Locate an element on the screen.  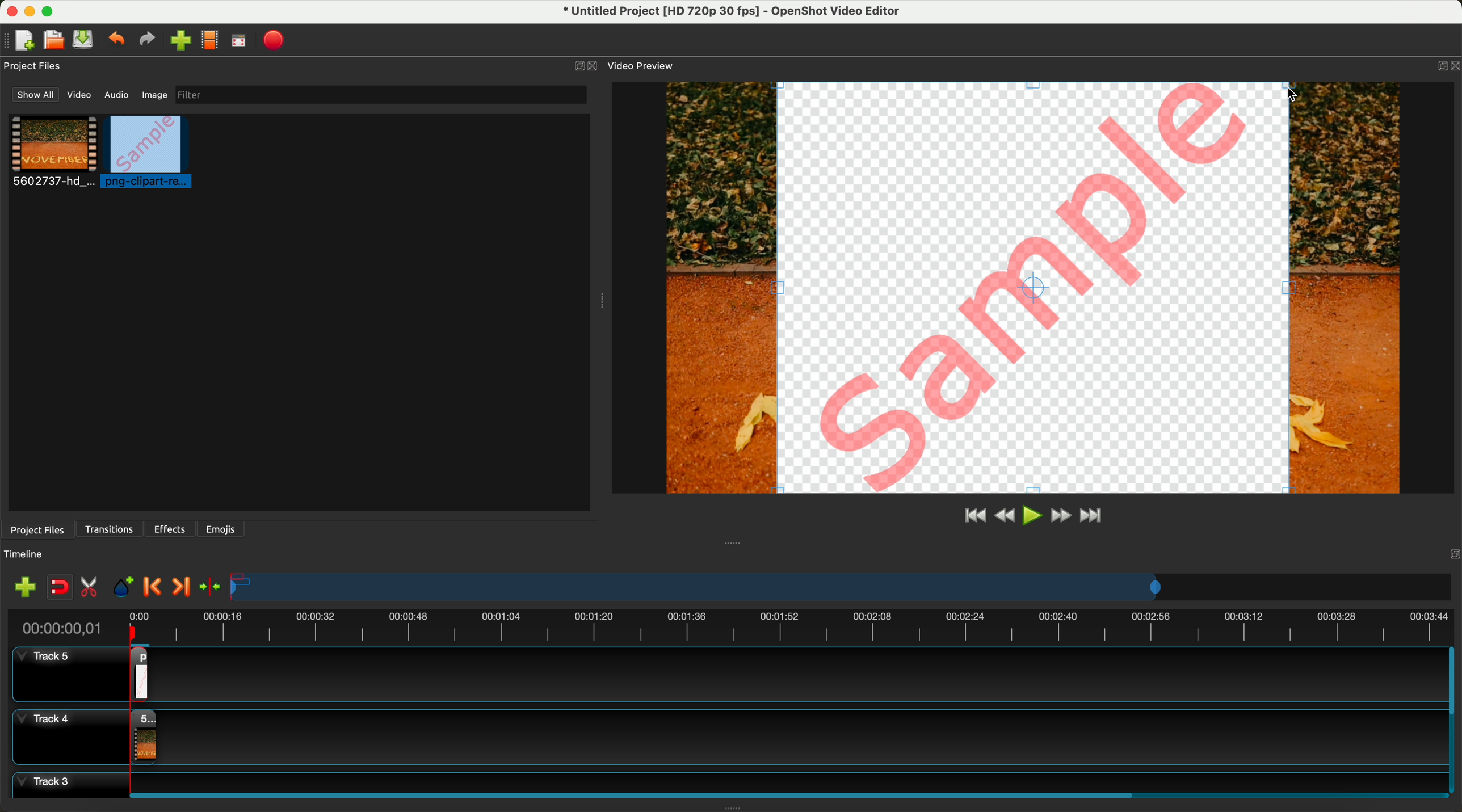
jump to start is located at coordinates (975, 516).